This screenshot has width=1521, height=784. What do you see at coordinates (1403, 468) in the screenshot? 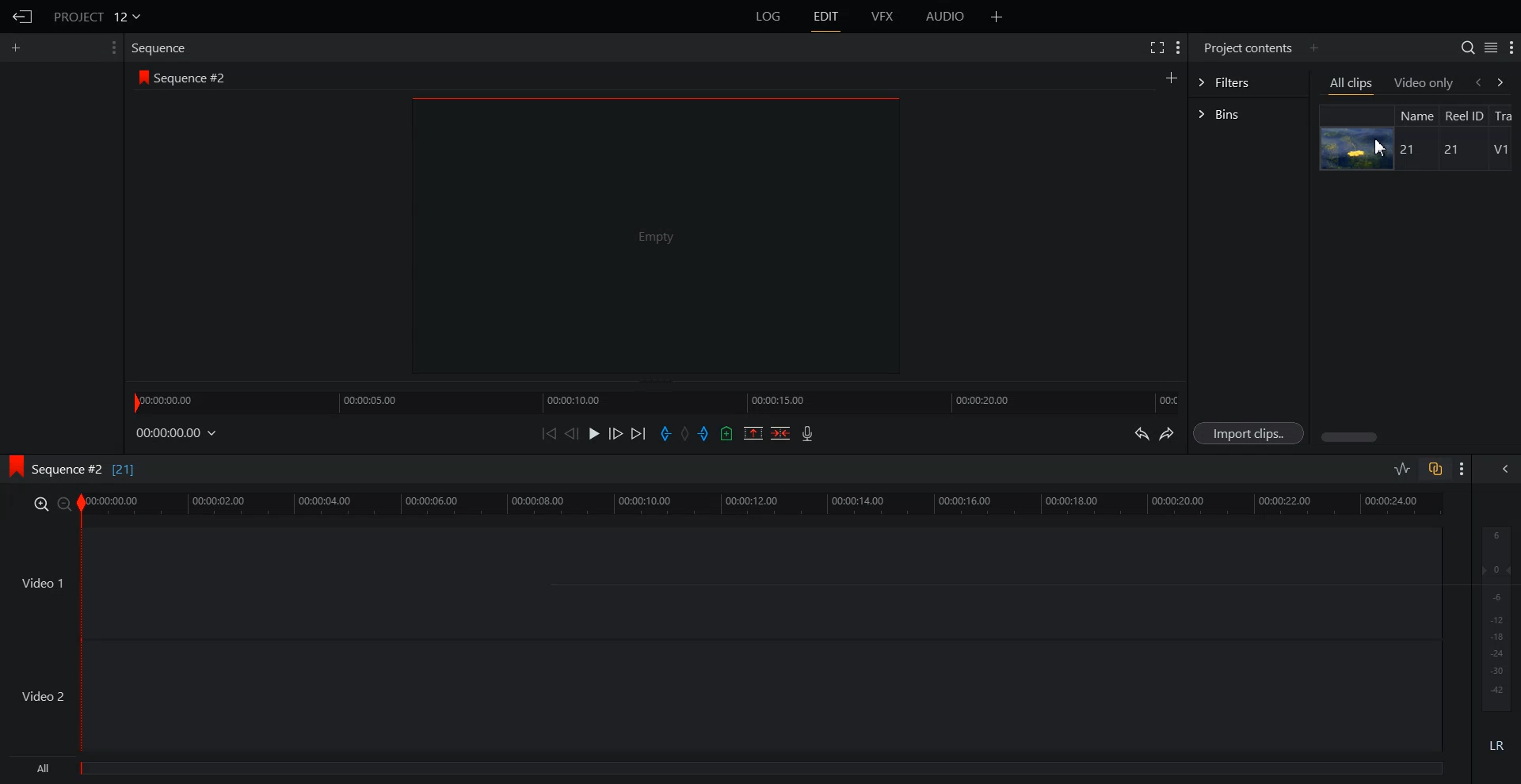
I see `Toggle audio level editing` at bounding box center [1403, 468].